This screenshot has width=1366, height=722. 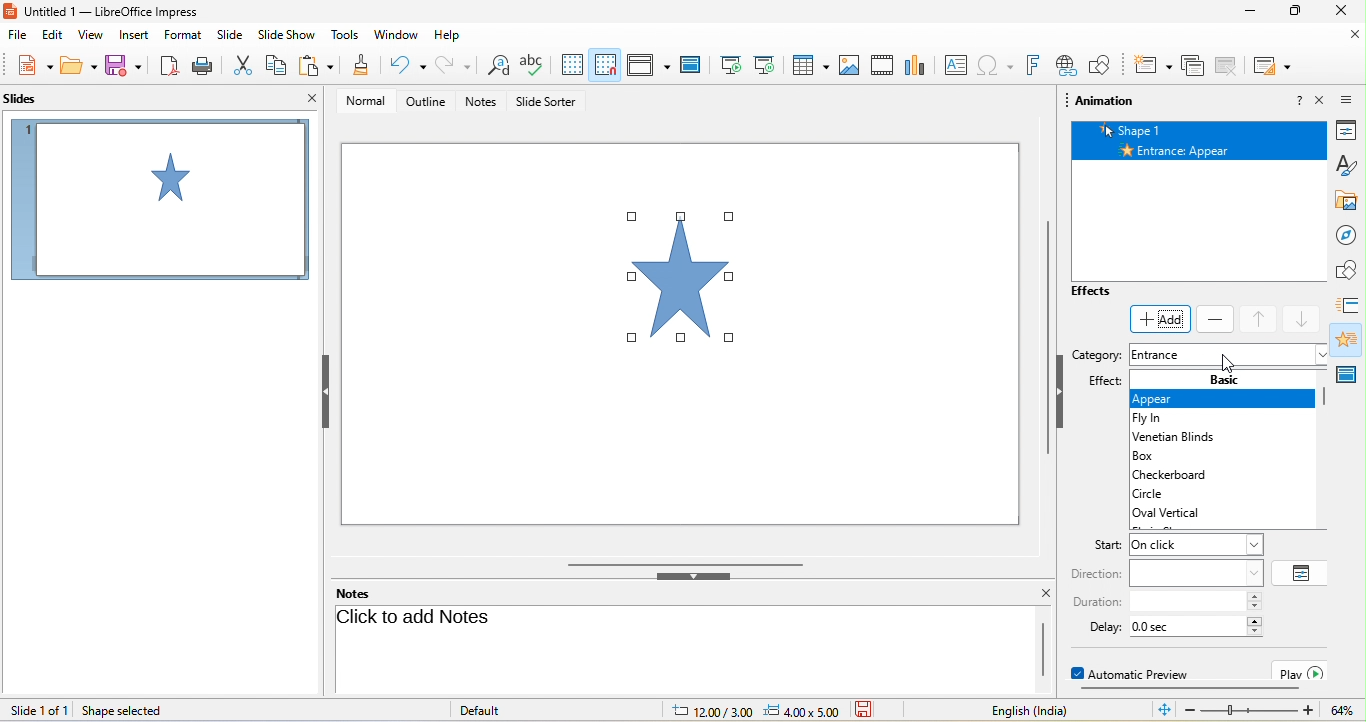 What do you see at coordinates (1226, 67) in the screenshot?
I see `duplicate slide` at bounding box center [1226, 67].